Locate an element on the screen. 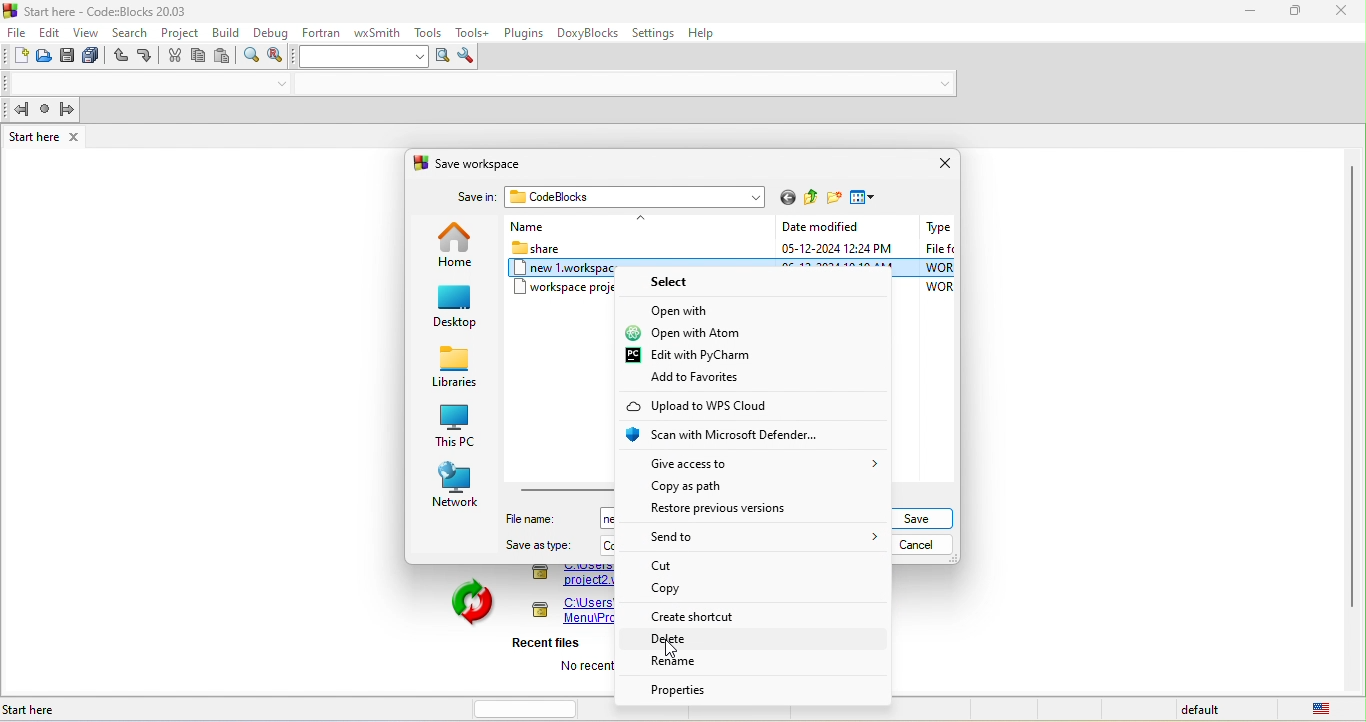 This screenshot has width=1366, height=722. network is located at coordinates (457, 486).